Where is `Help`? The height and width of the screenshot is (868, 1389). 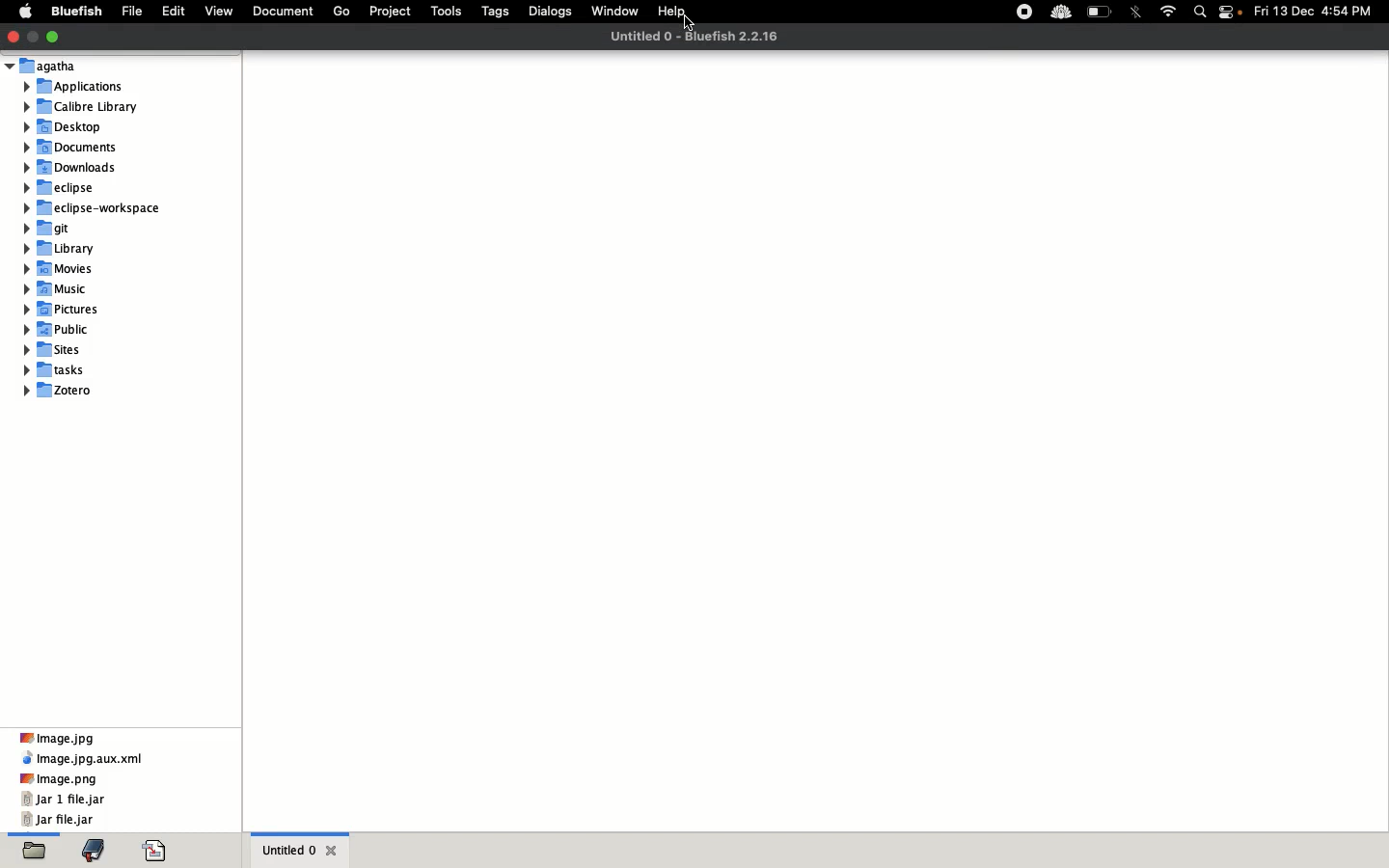 Help is located at coordinates (672, 10).